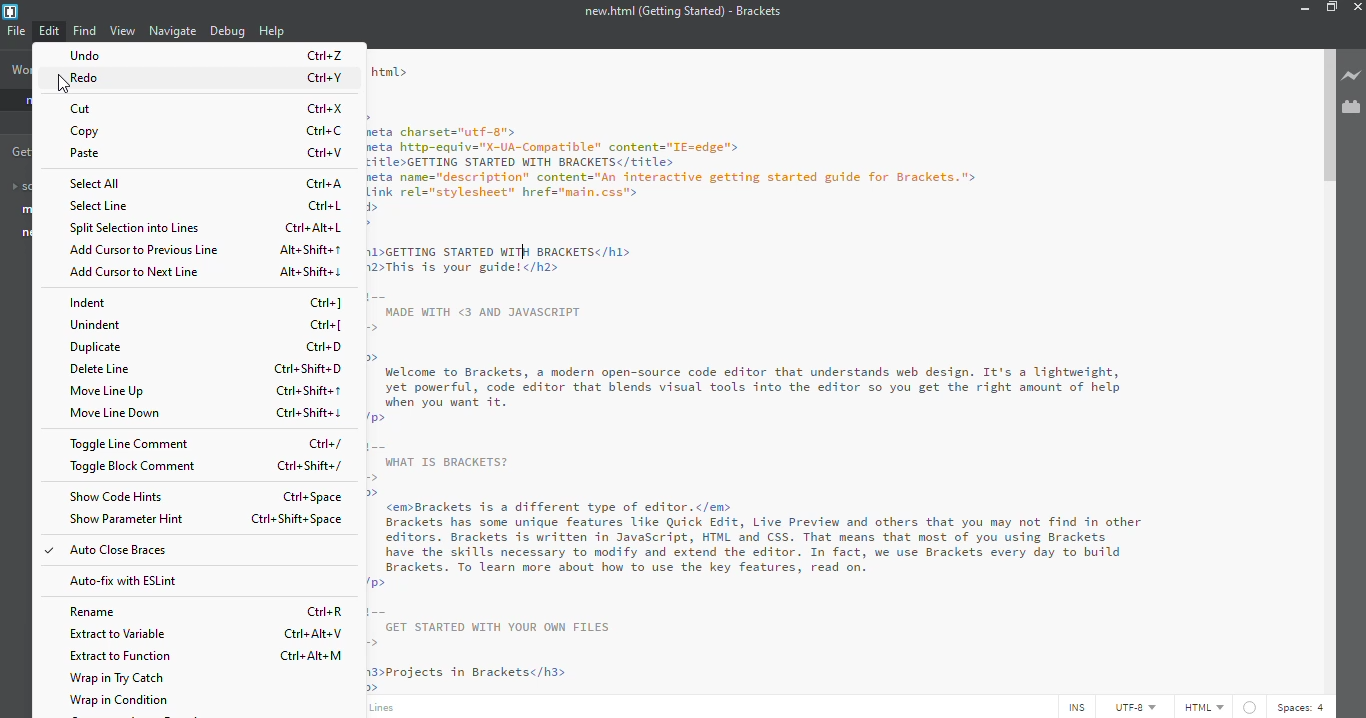 The image size is (1366, 718). What do you see at coordinates (312, 368) in the screenshot?
I see `ctrl+shift+d` at bounding box center [312, 368].